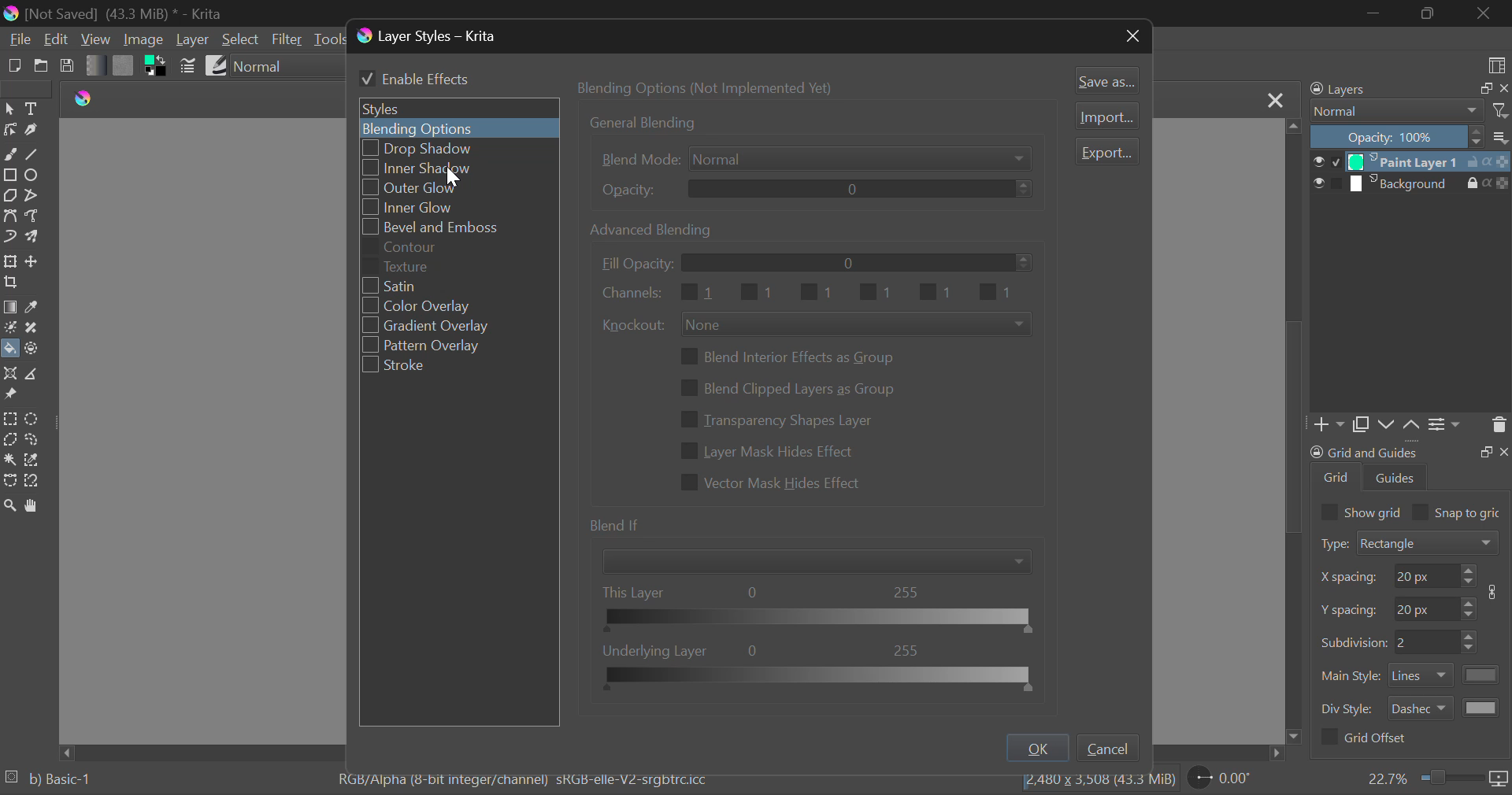 The image size is (1512, 795). I want to click on Blending Modes, so click(1409, 112).